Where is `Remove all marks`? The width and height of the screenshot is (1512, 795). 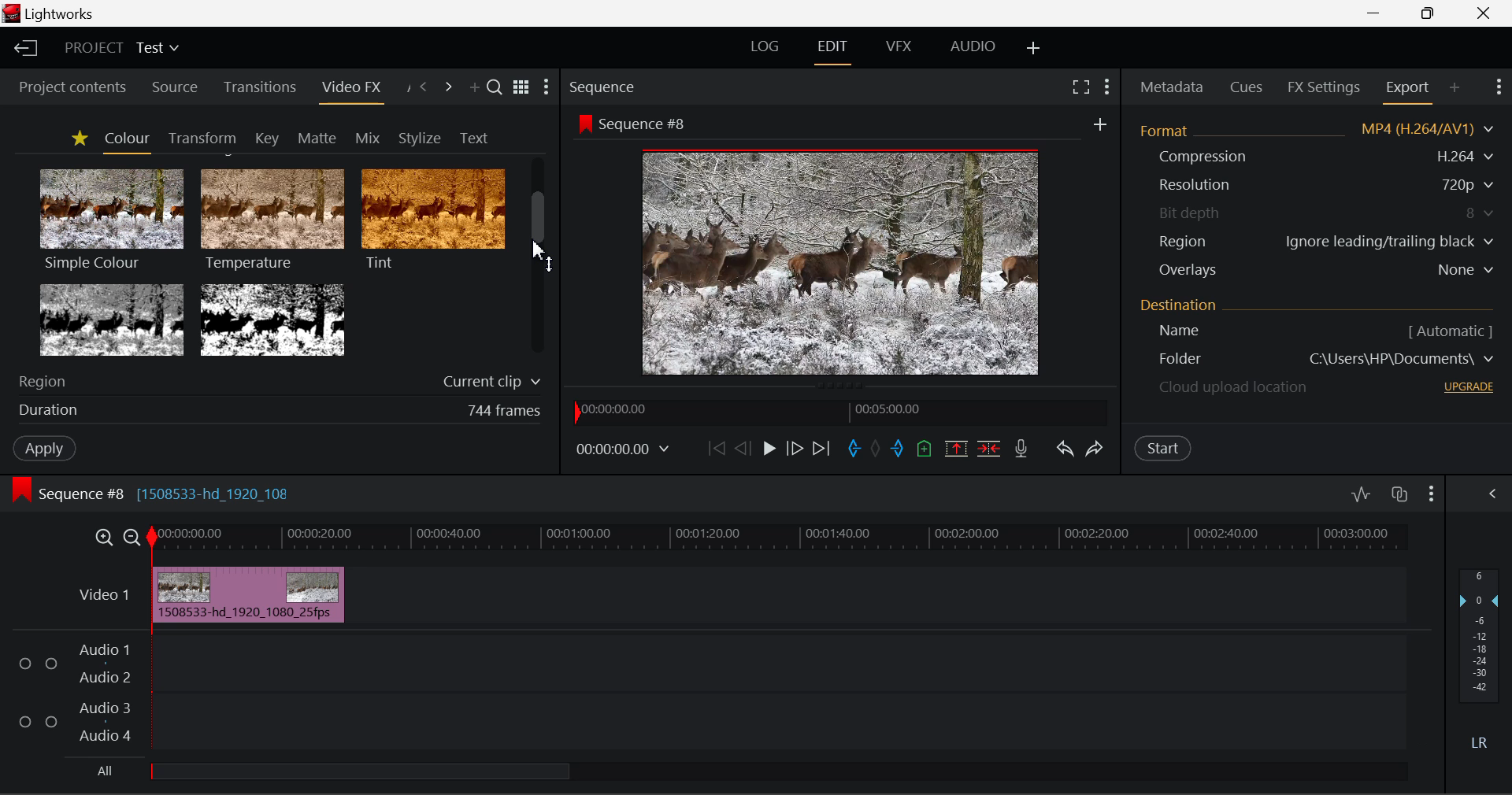
Remove all marks is located at coordinates (875, 450).